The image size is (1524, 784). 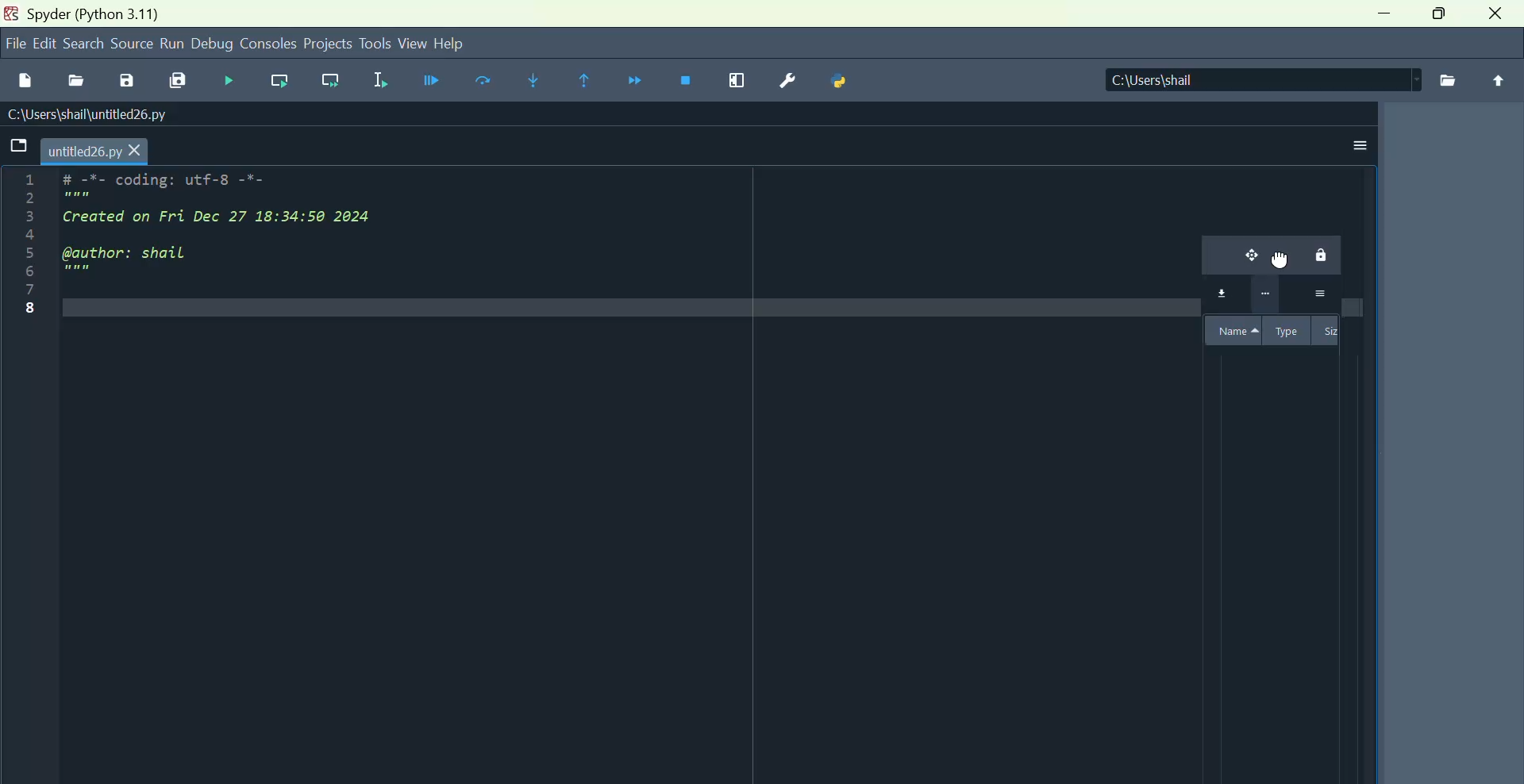 What do you see at coordinates (1444, 18) in the screenshot?
I see `Maximise` at bounding box center [1444, 18].